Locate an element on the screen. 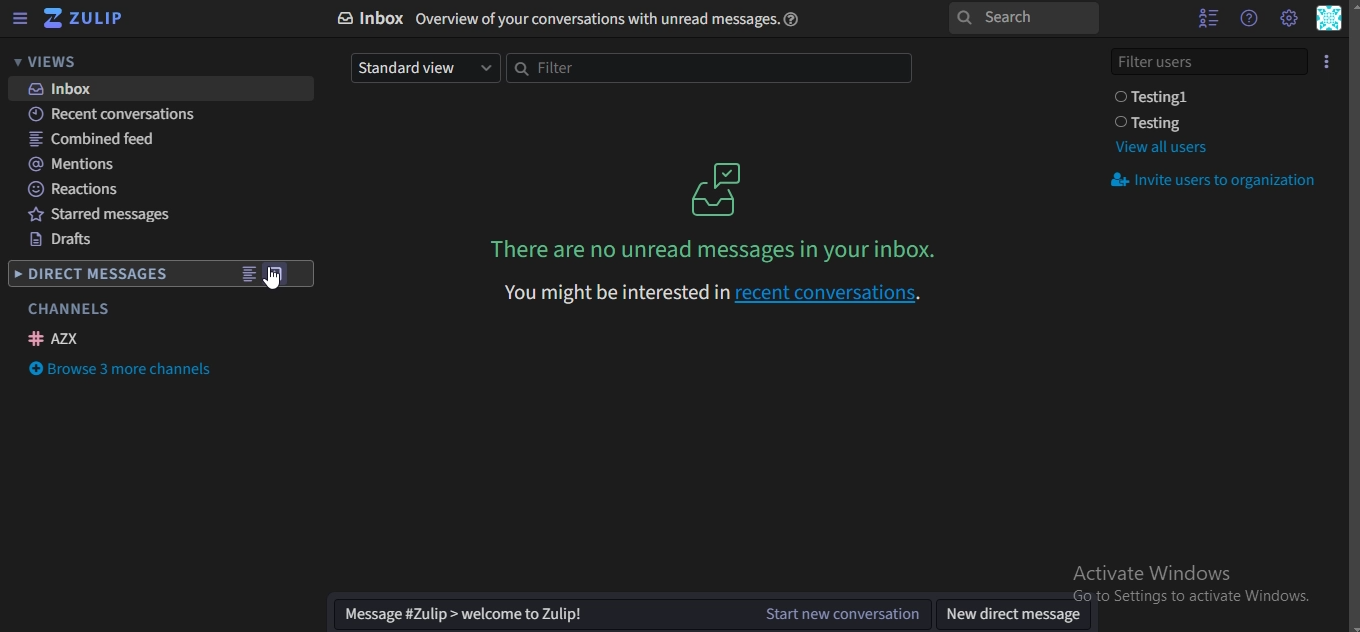 The image size is (1360, 632). views is located at coordinates (55, 62).